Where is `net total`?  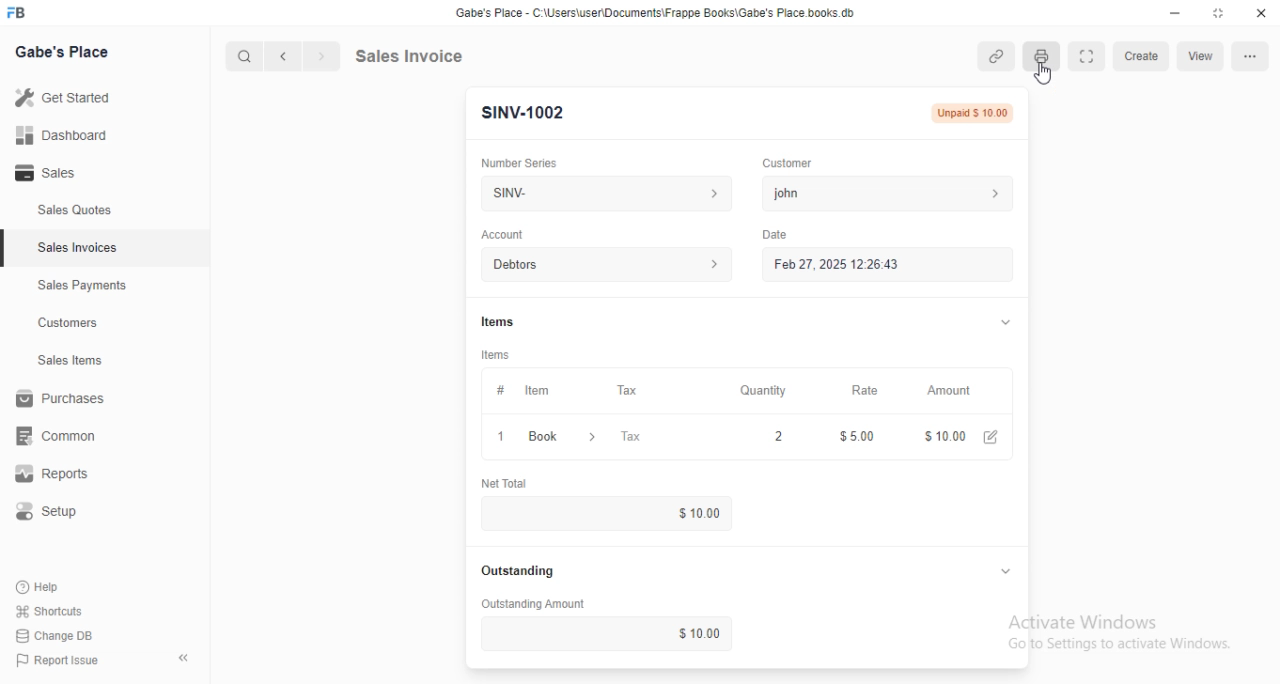
net total is located at coordinates (505, 483).